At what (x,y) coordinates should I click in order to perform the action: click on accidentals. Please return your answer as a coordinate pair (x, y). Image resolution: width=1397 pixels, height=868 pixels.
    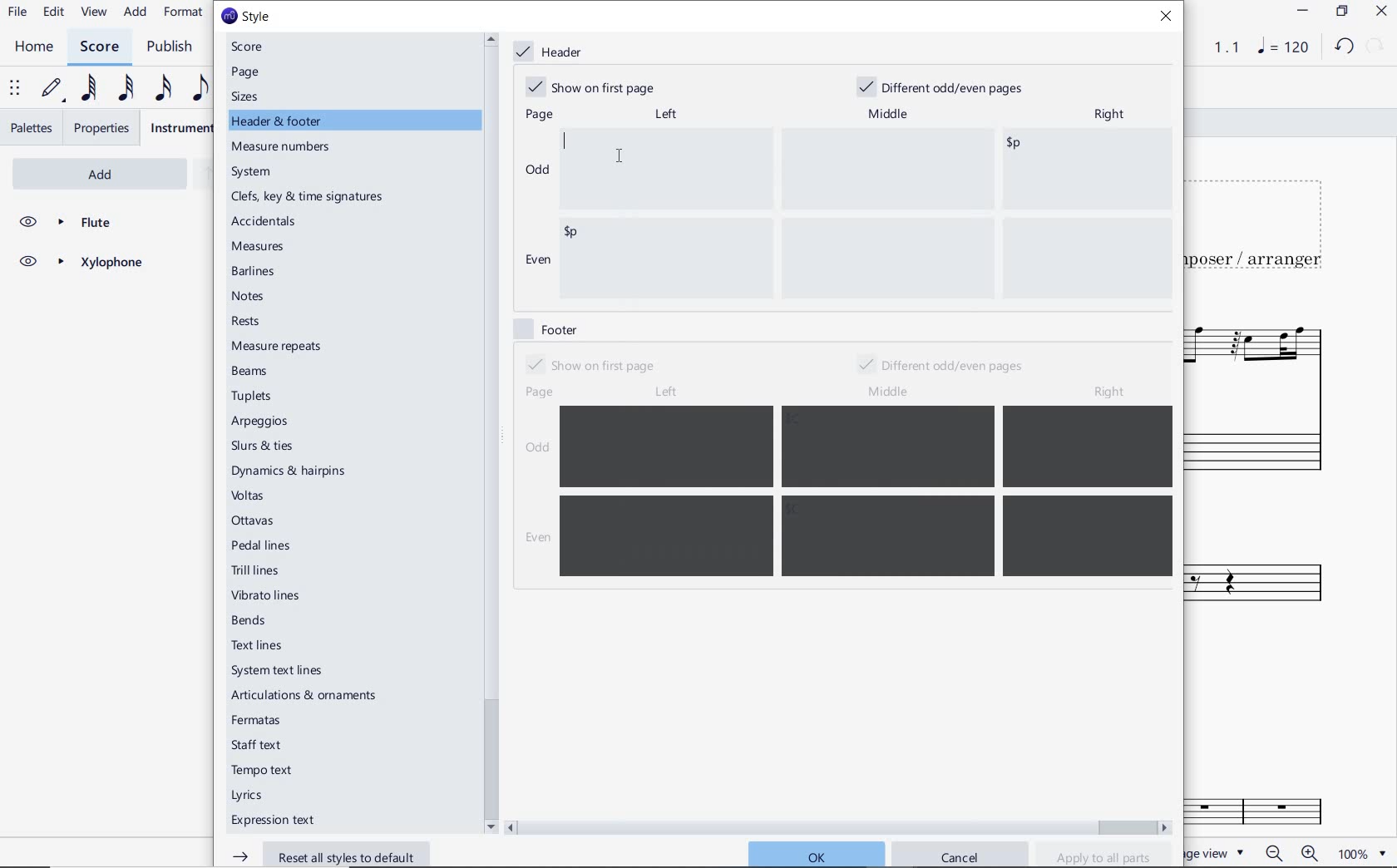
    Looking at the image, I should click on (266, 220).